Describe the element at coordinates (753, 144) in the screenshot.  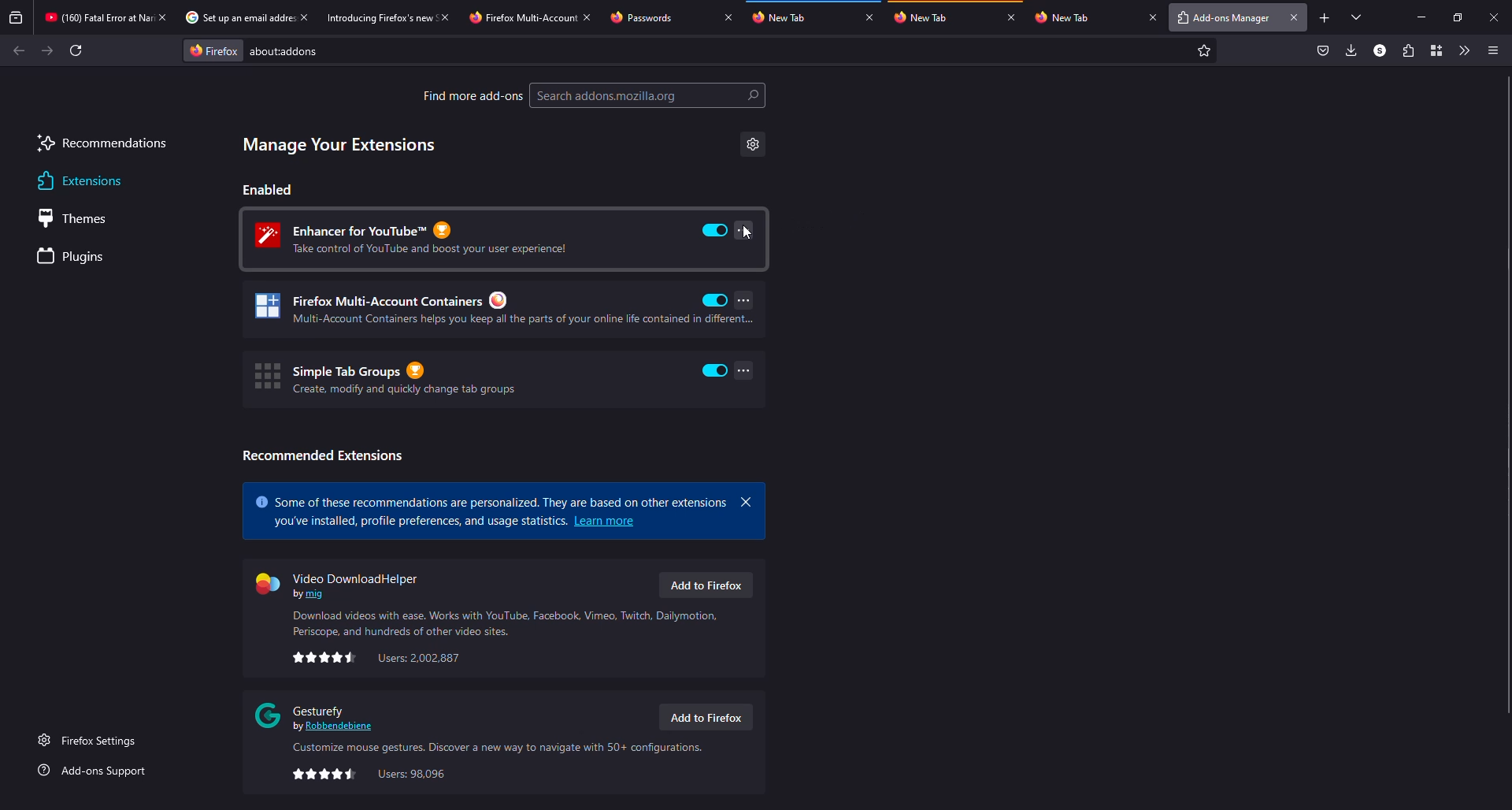
I see `settings` at that location.